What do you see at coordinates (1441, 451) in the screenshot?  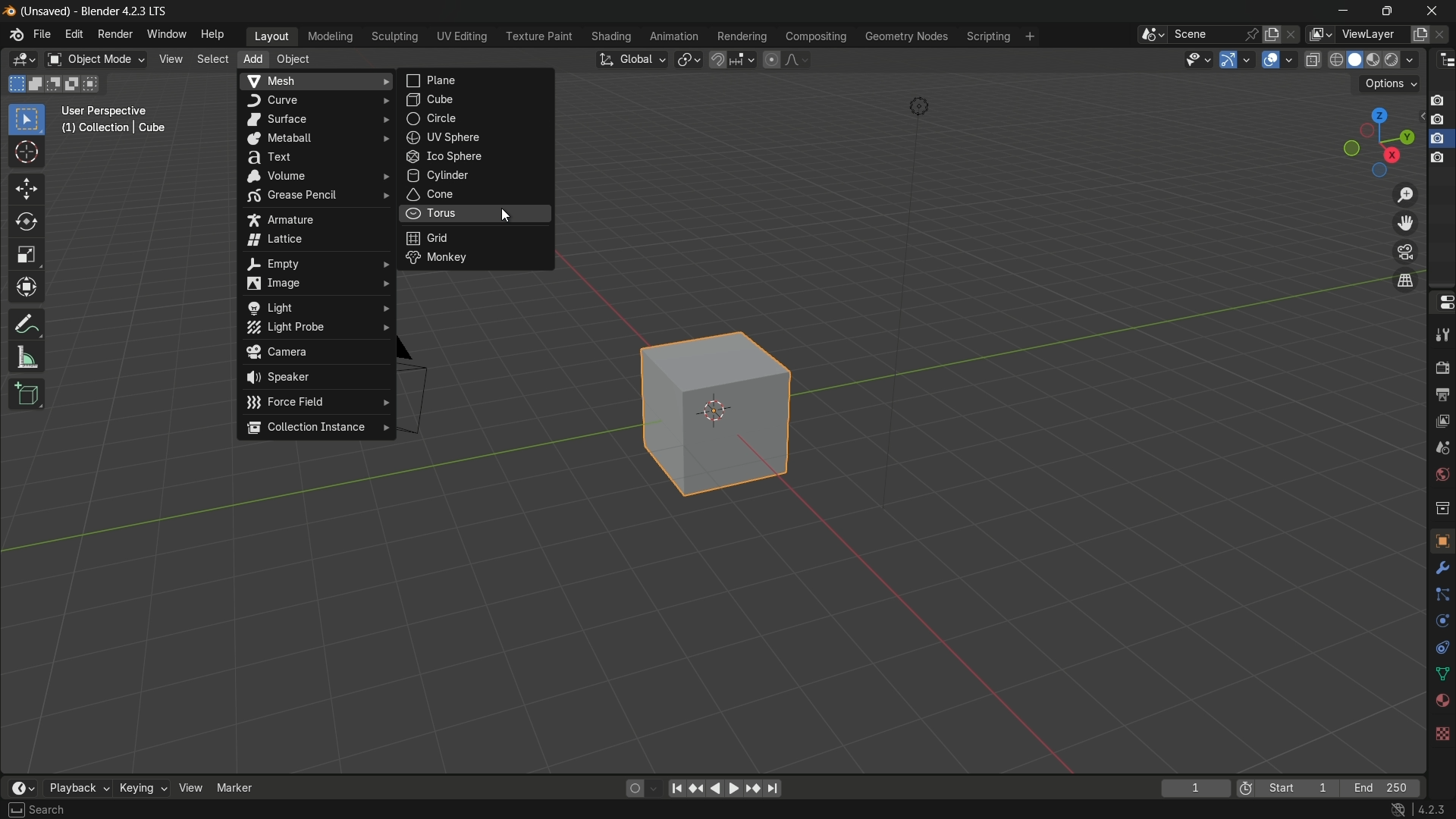 I see `scene` at bounding box center [1441, 451].